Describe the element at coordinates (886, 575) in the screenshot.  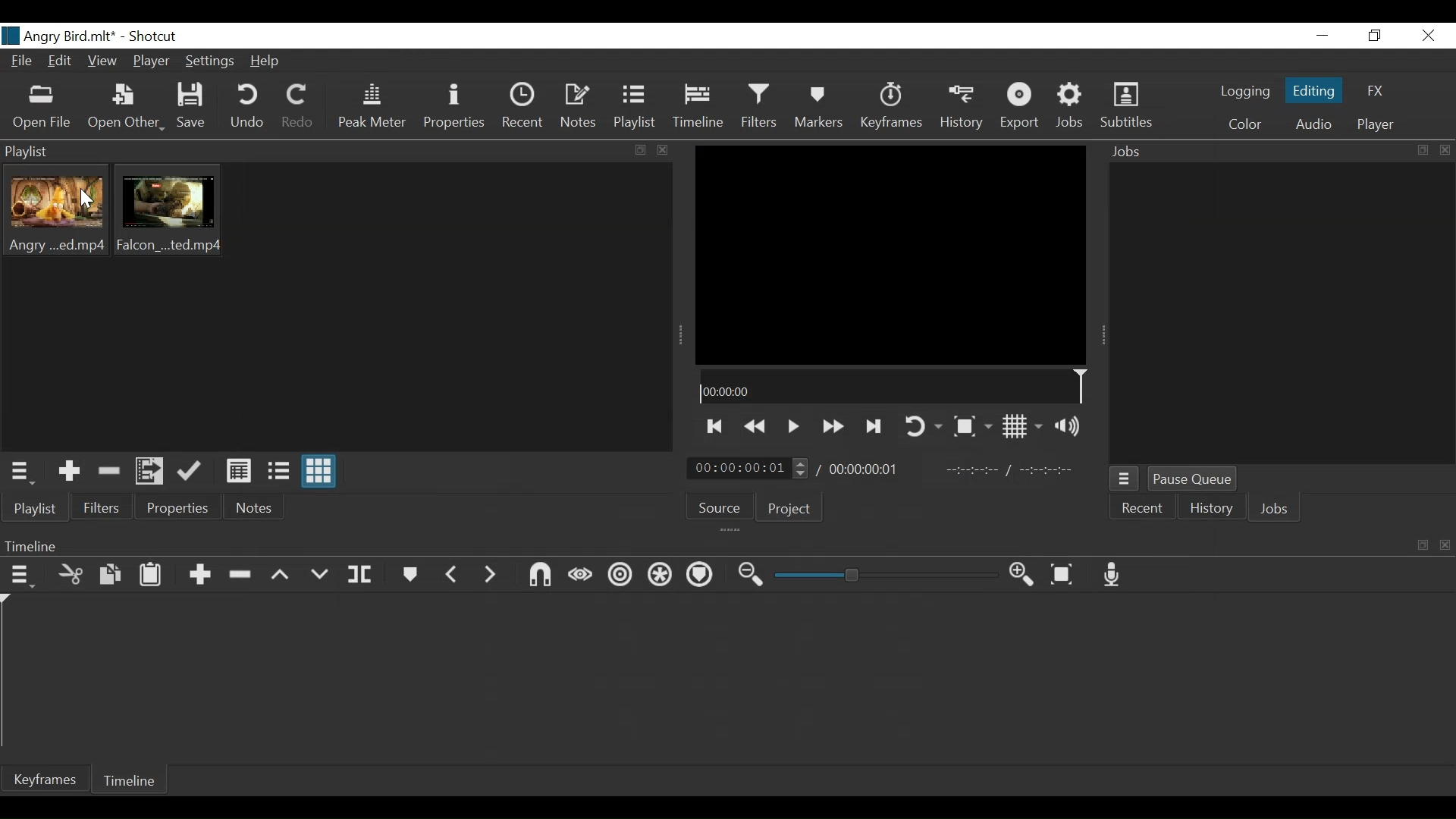
I see `Zoom slider` at that location.